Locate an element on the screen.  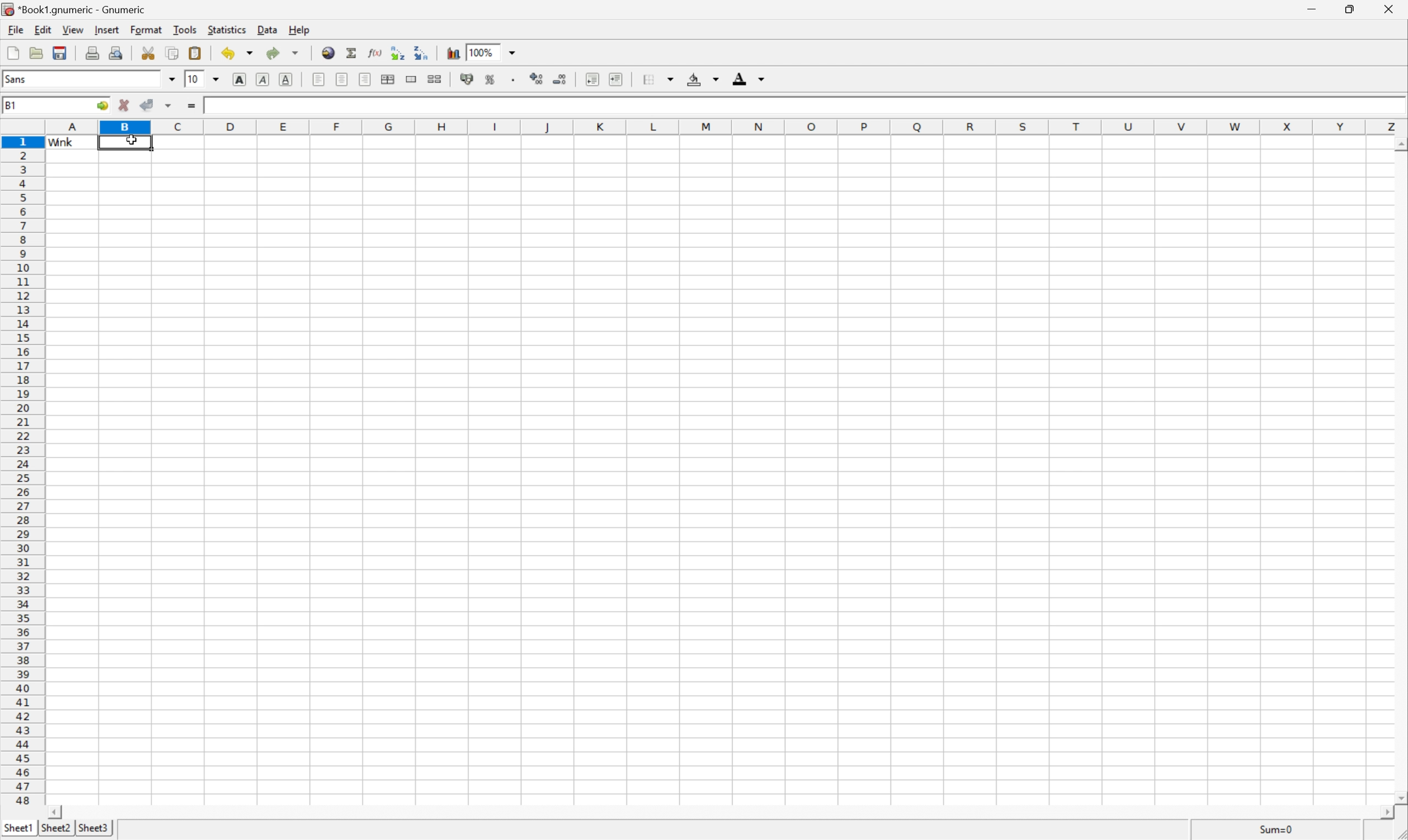
center horizontally is located at coordinates (389, 78).